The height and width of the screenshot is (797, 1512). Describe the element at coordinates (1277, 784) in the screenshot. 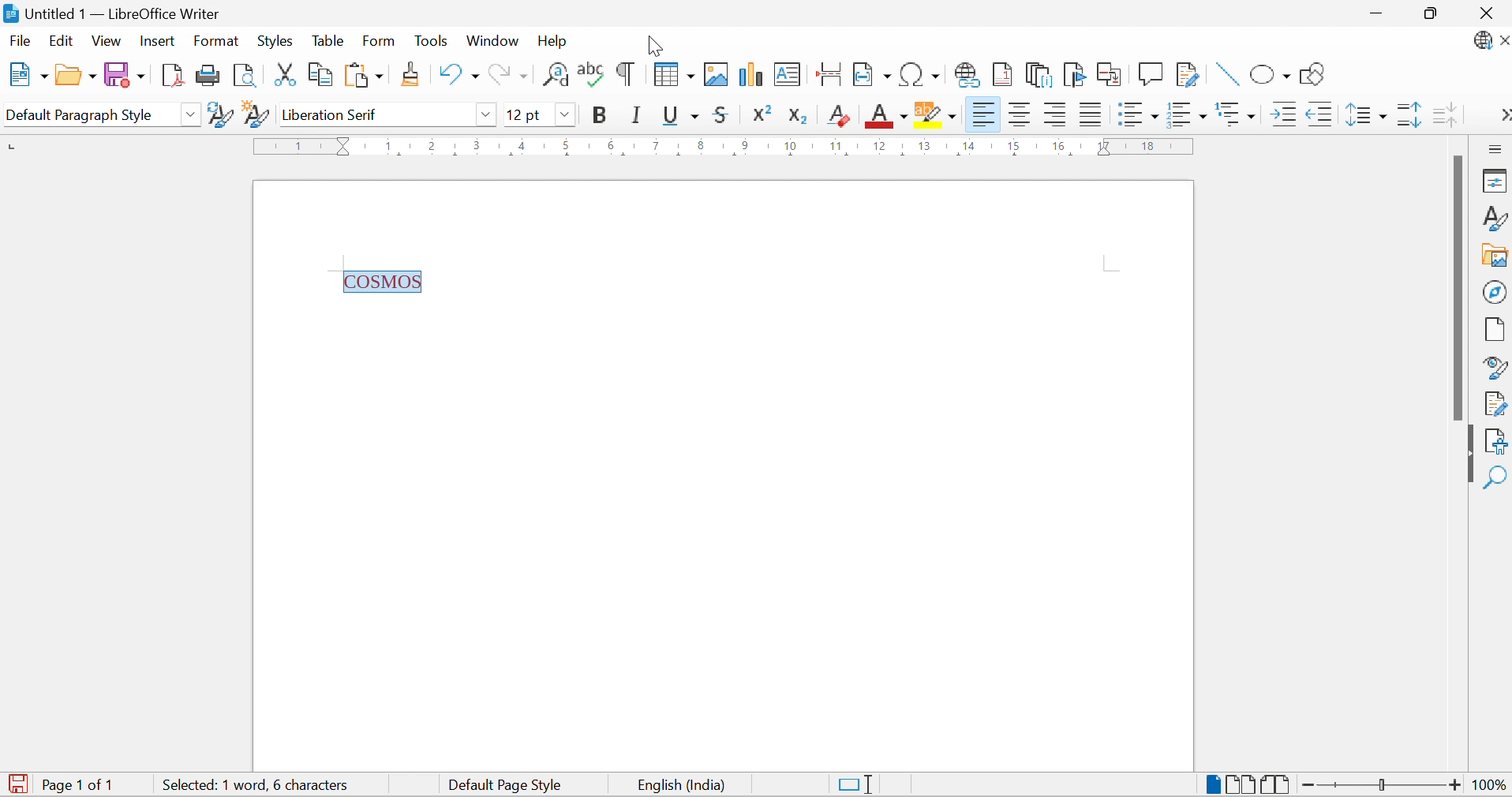

I see `Book View` at that location.